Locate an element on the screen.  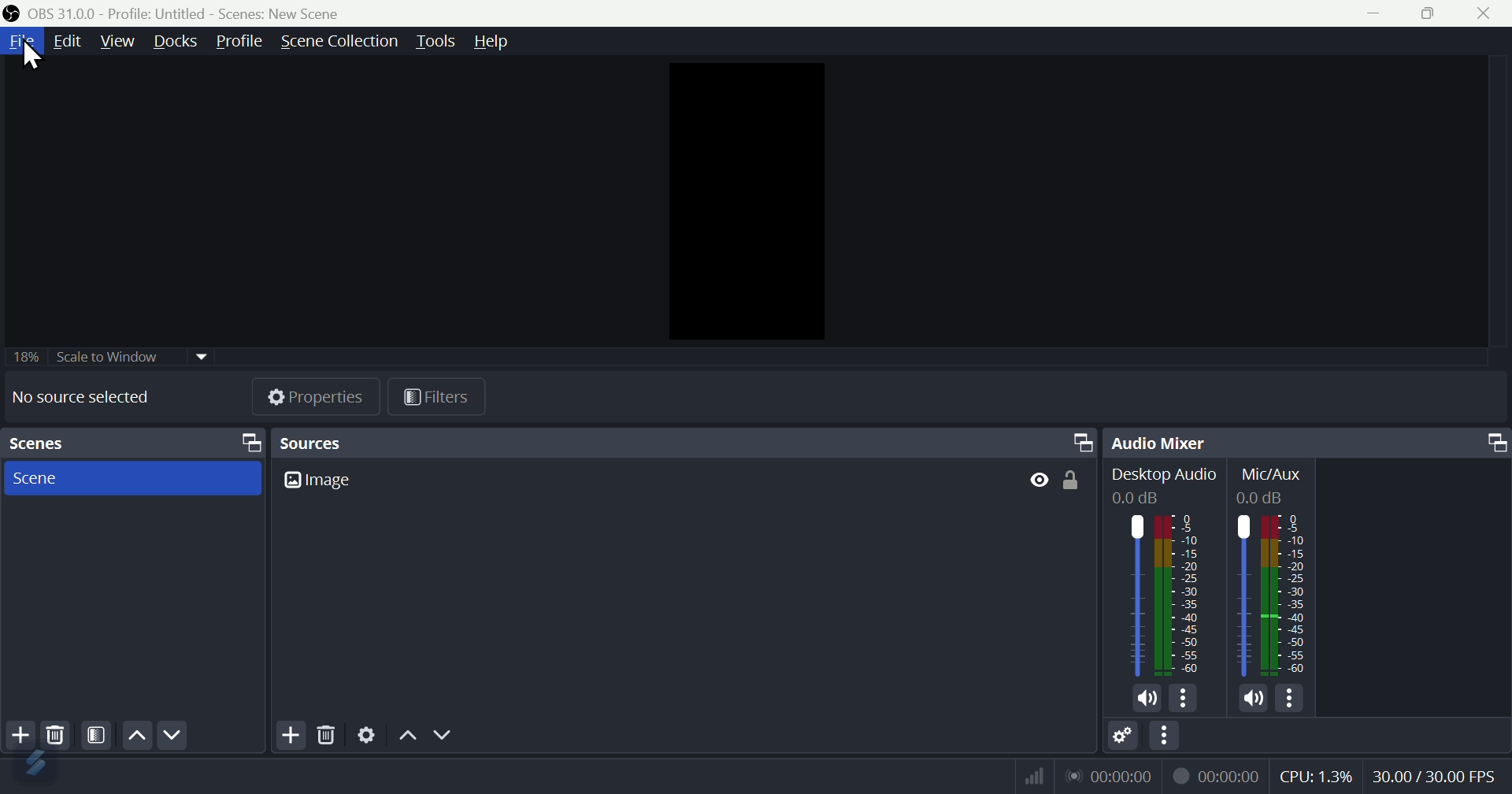
Add is located at coordinates (293, 735).